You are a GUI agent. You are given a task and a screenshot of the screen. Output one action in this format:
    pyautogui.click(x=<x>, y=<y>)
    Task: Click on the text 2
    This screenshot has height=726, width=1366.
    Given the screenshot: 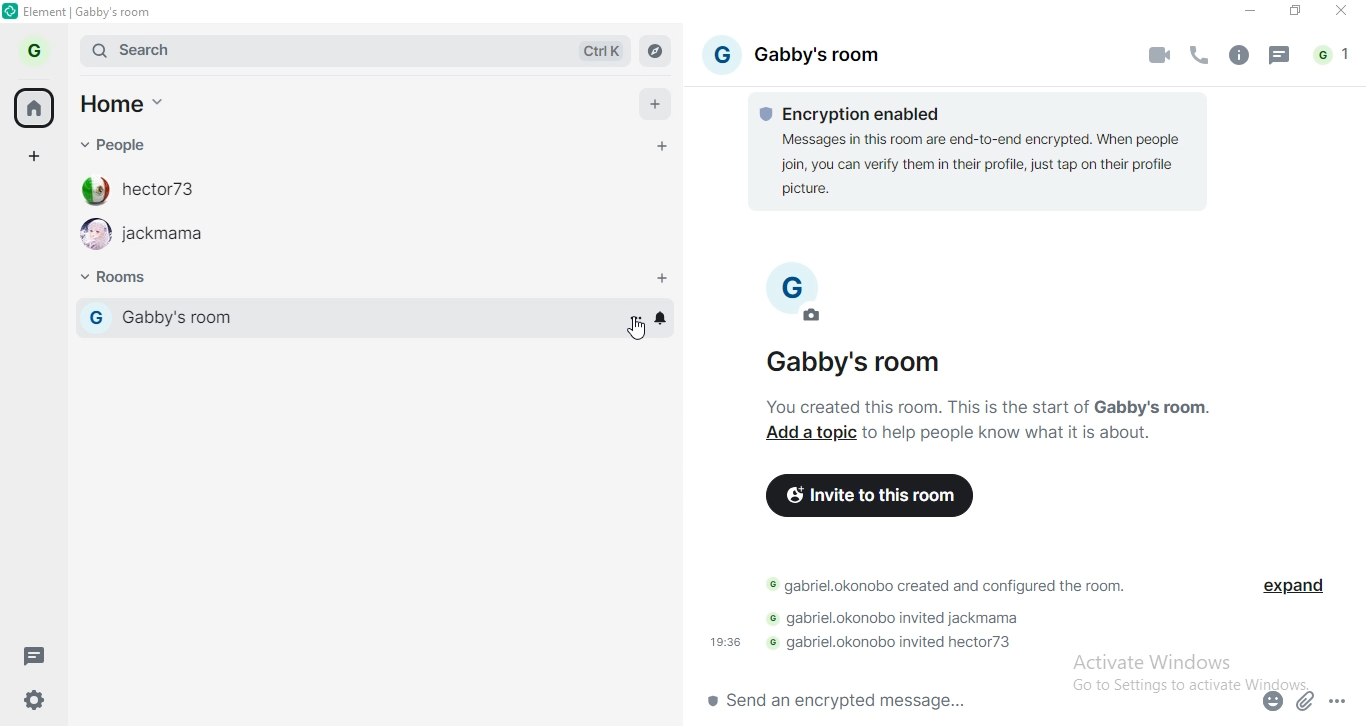 What is the action you would take?
    pyautogui.click(x=982, y=429)
    